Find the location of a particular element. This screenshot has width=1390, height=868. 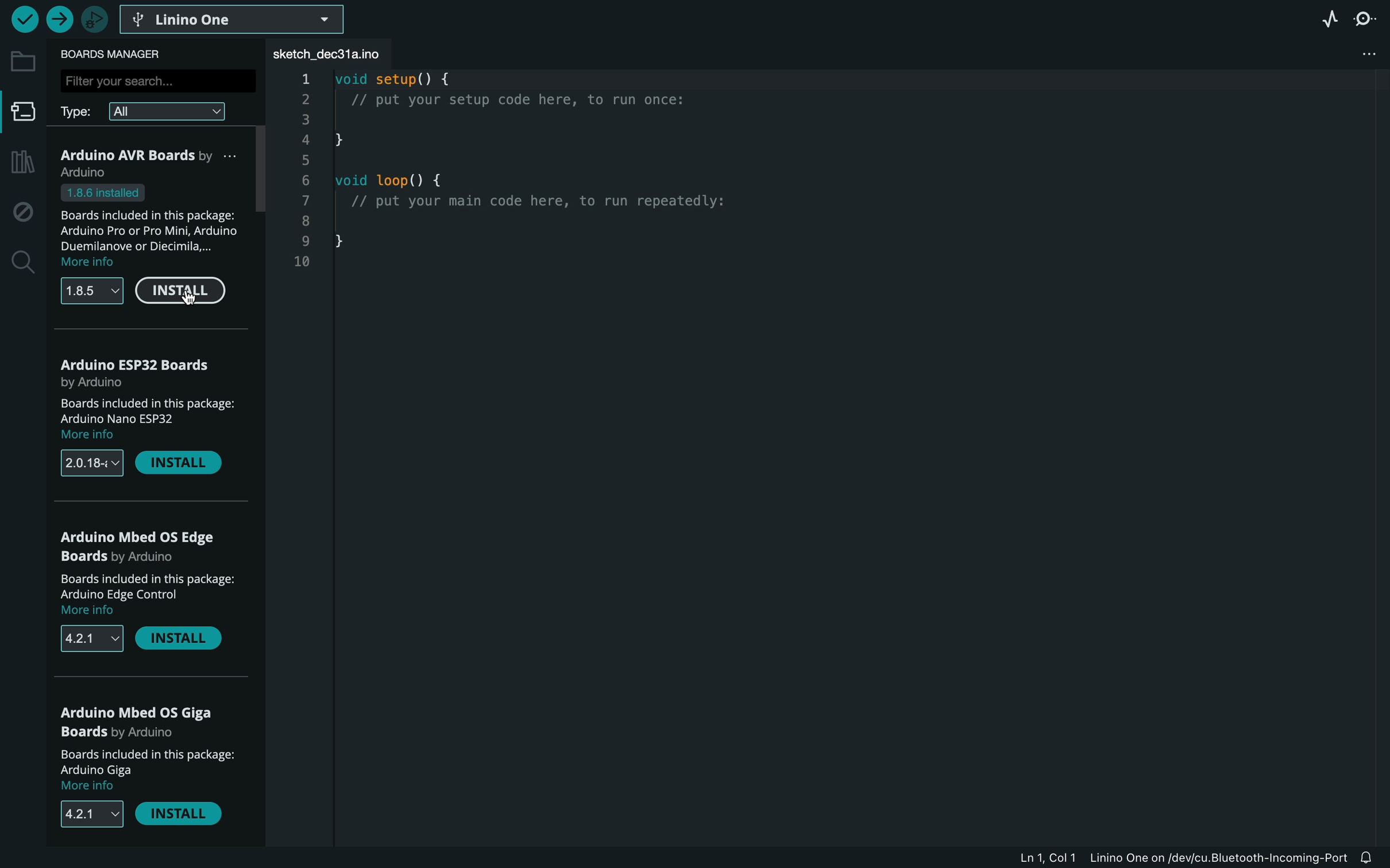

board manager is located at coordinates (24, 115).